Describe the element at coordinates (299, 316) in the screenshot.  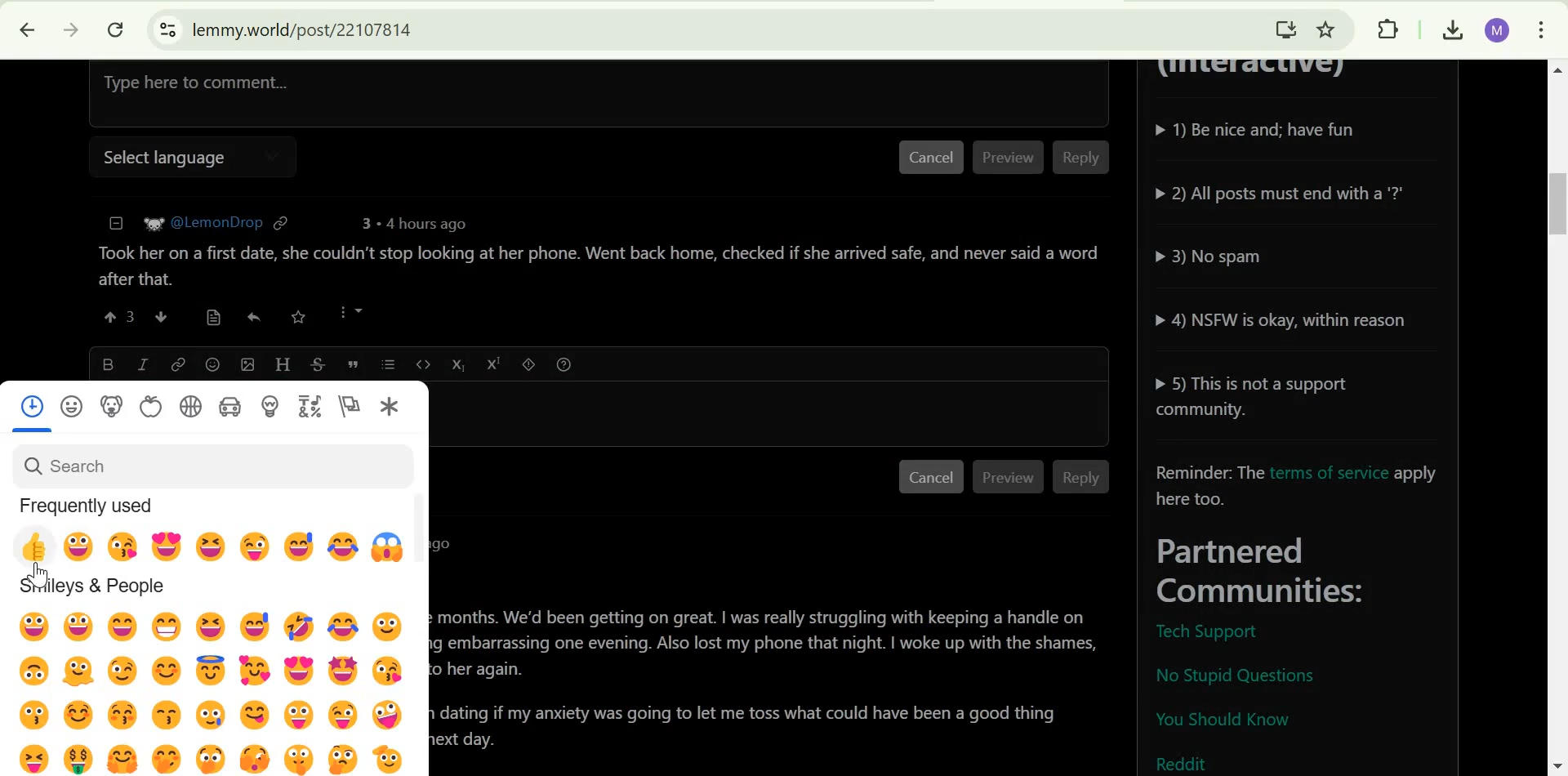
I see `save` at that location.